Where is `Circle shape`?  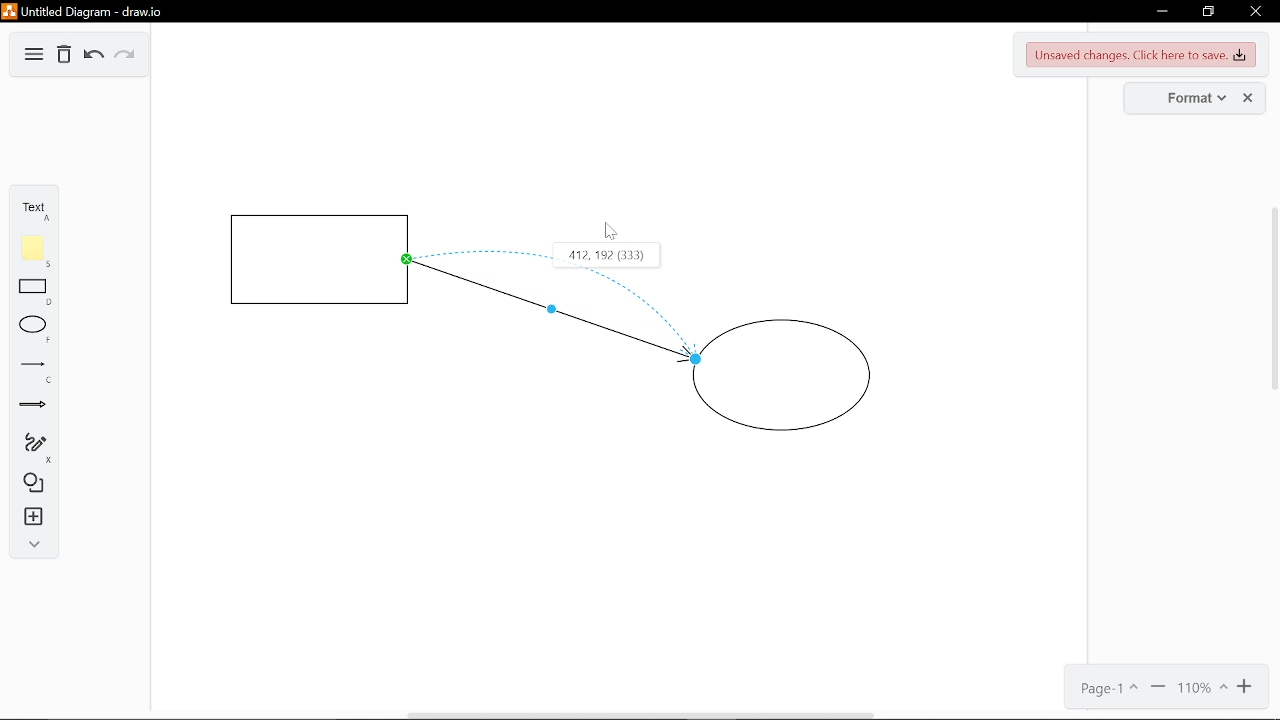
Circle shape is located at coordinates (787, 375).